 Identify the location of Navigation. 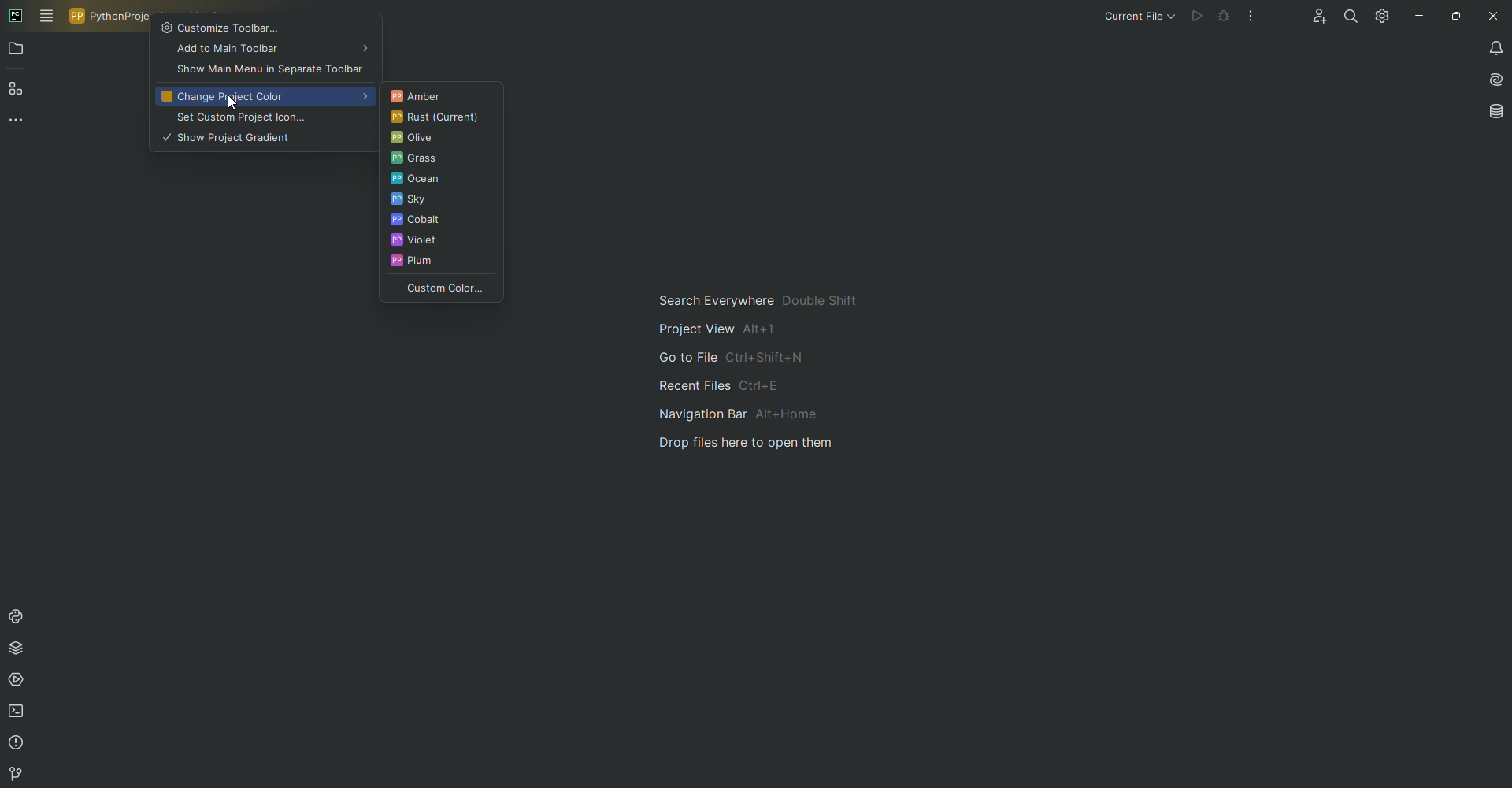
(769, 372).